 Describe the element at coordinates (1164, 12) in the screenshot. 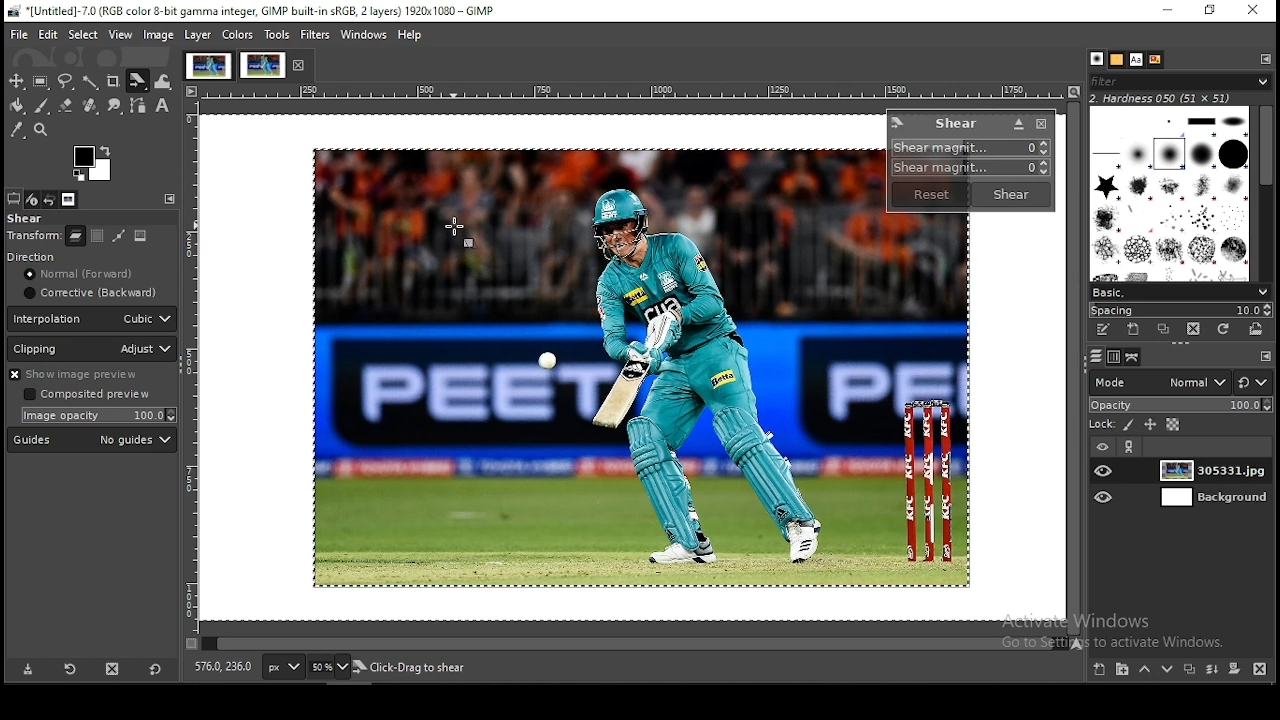

I see `minimize` at that location.